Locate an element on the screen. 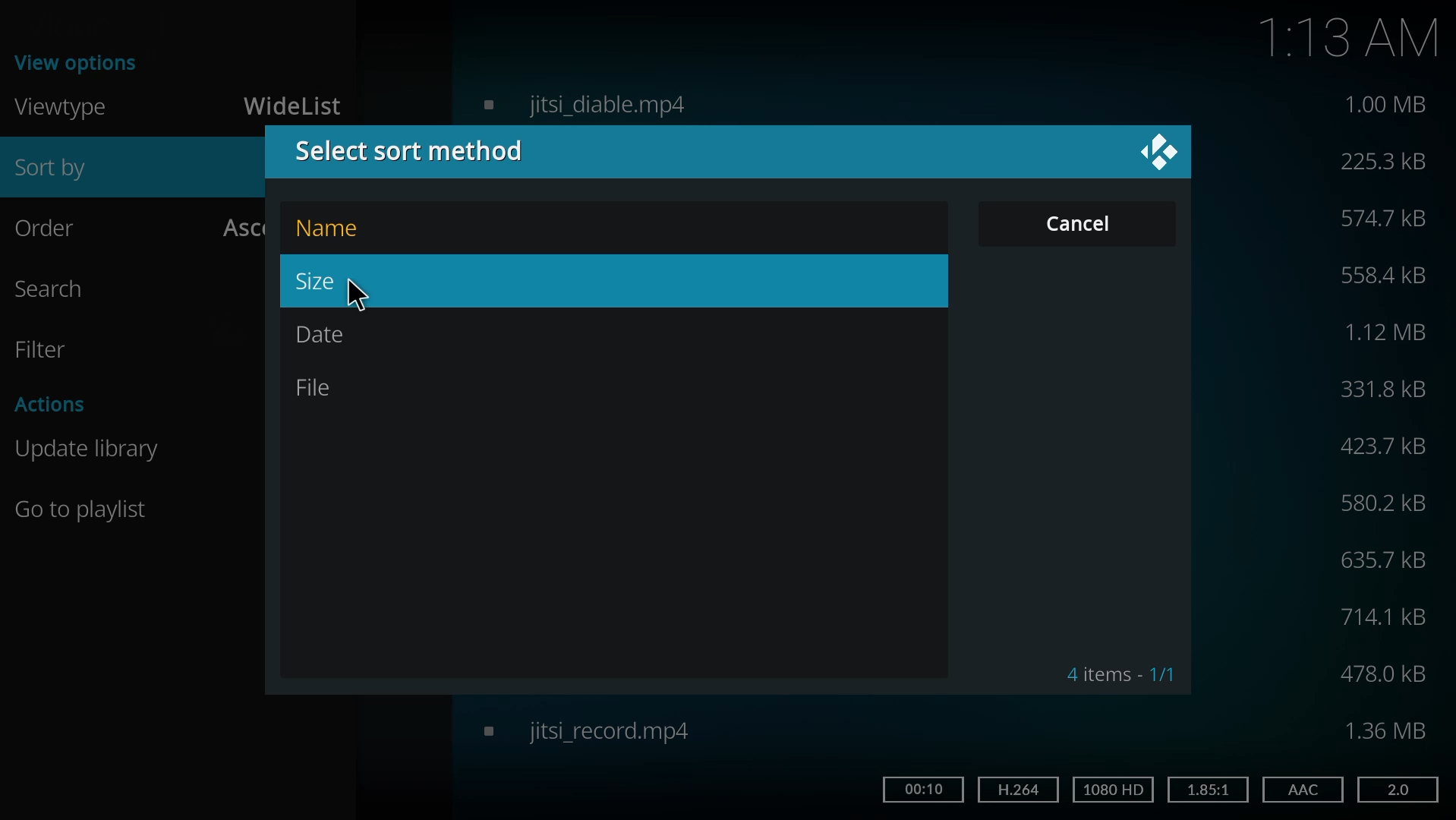  size is located at coordinates (1383, 276).